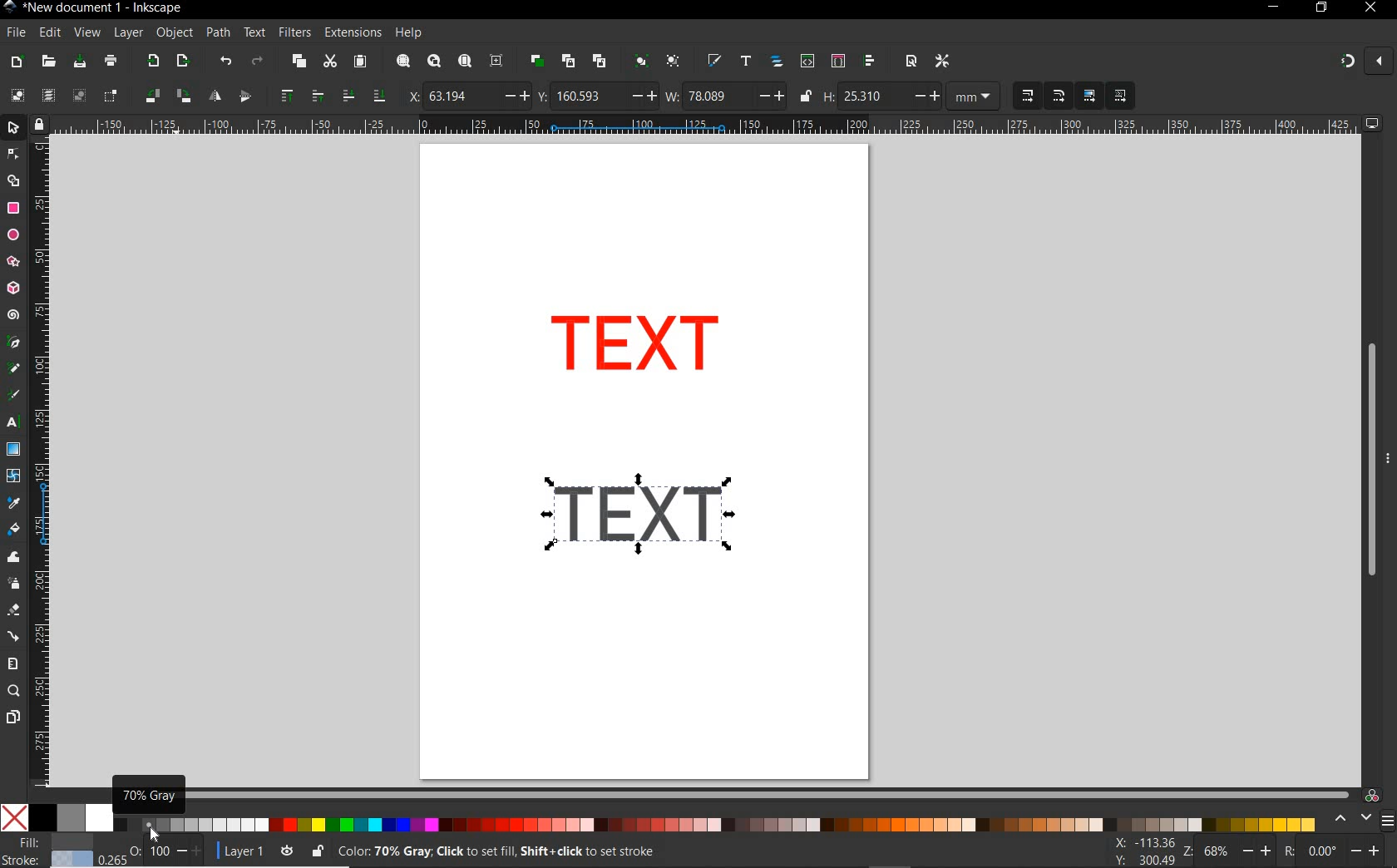  Describe the element at coordinates (13, 558) in the screenshot. I see `tweak tool` at that location.